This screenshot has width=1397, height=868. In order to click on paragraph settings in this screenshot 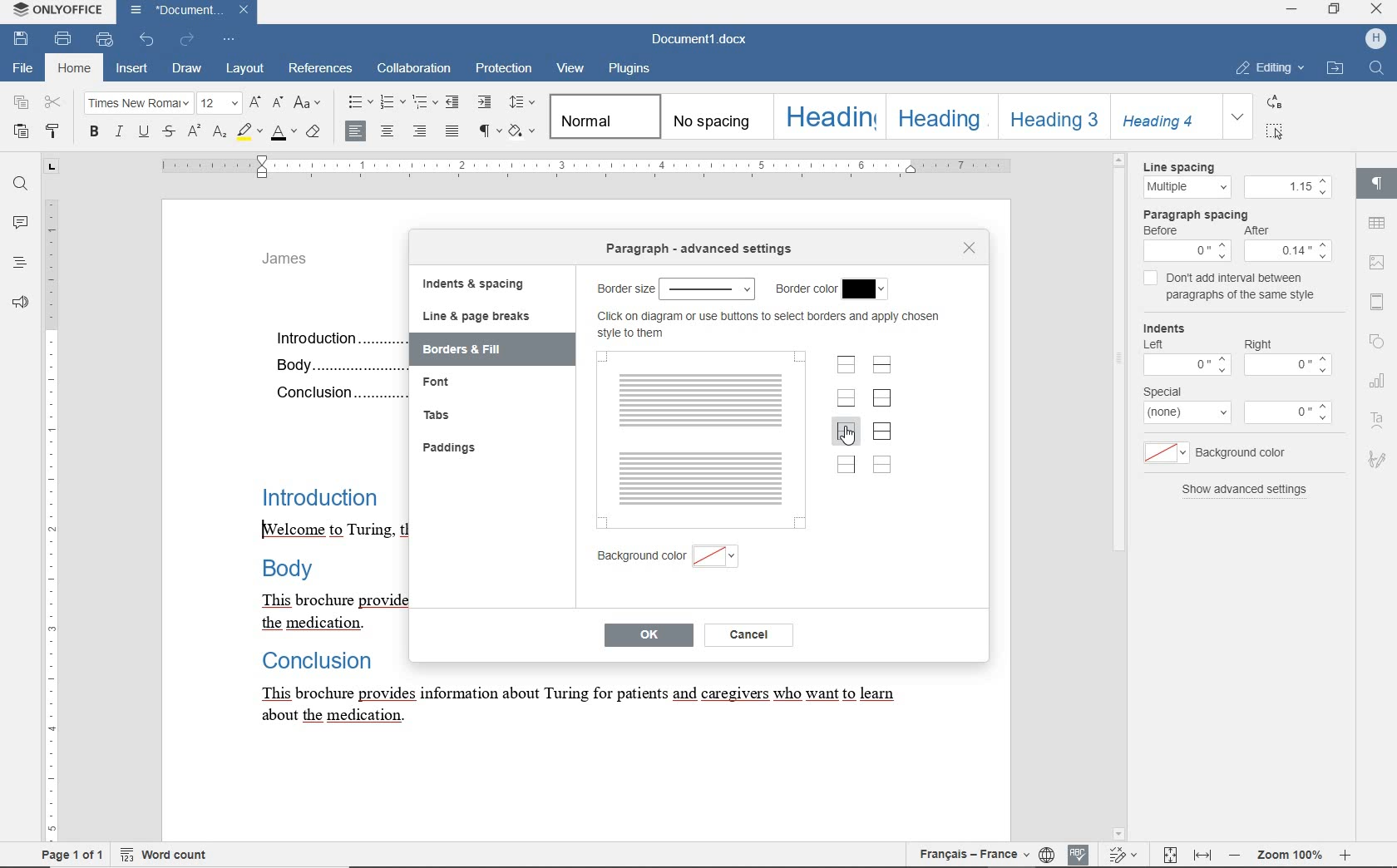, I will do `click(1379, 184)`.